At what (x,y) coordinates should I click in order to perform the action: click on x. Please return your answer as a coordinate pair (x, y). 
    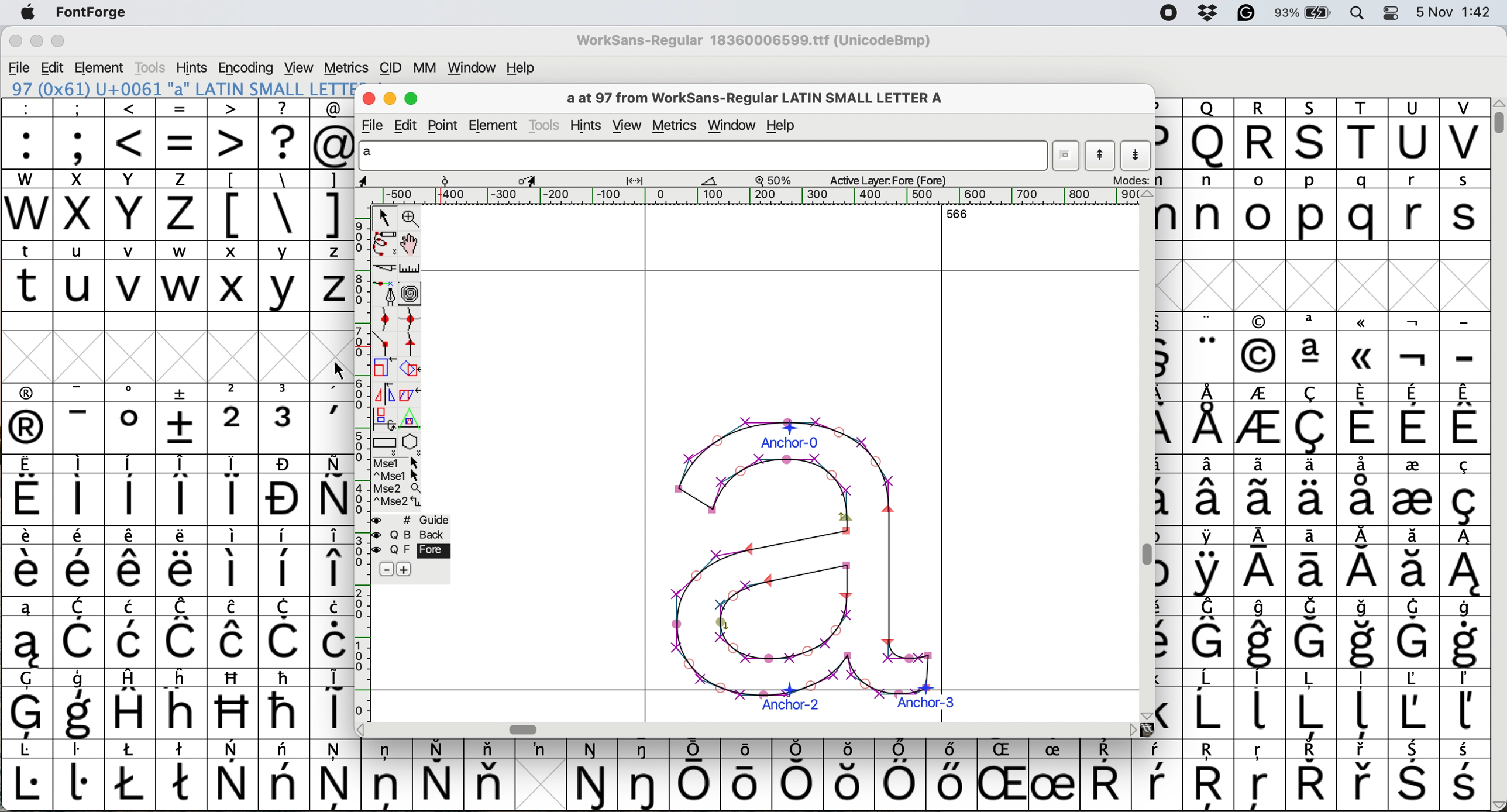
    Looking at the image, I should click on (232, 276).